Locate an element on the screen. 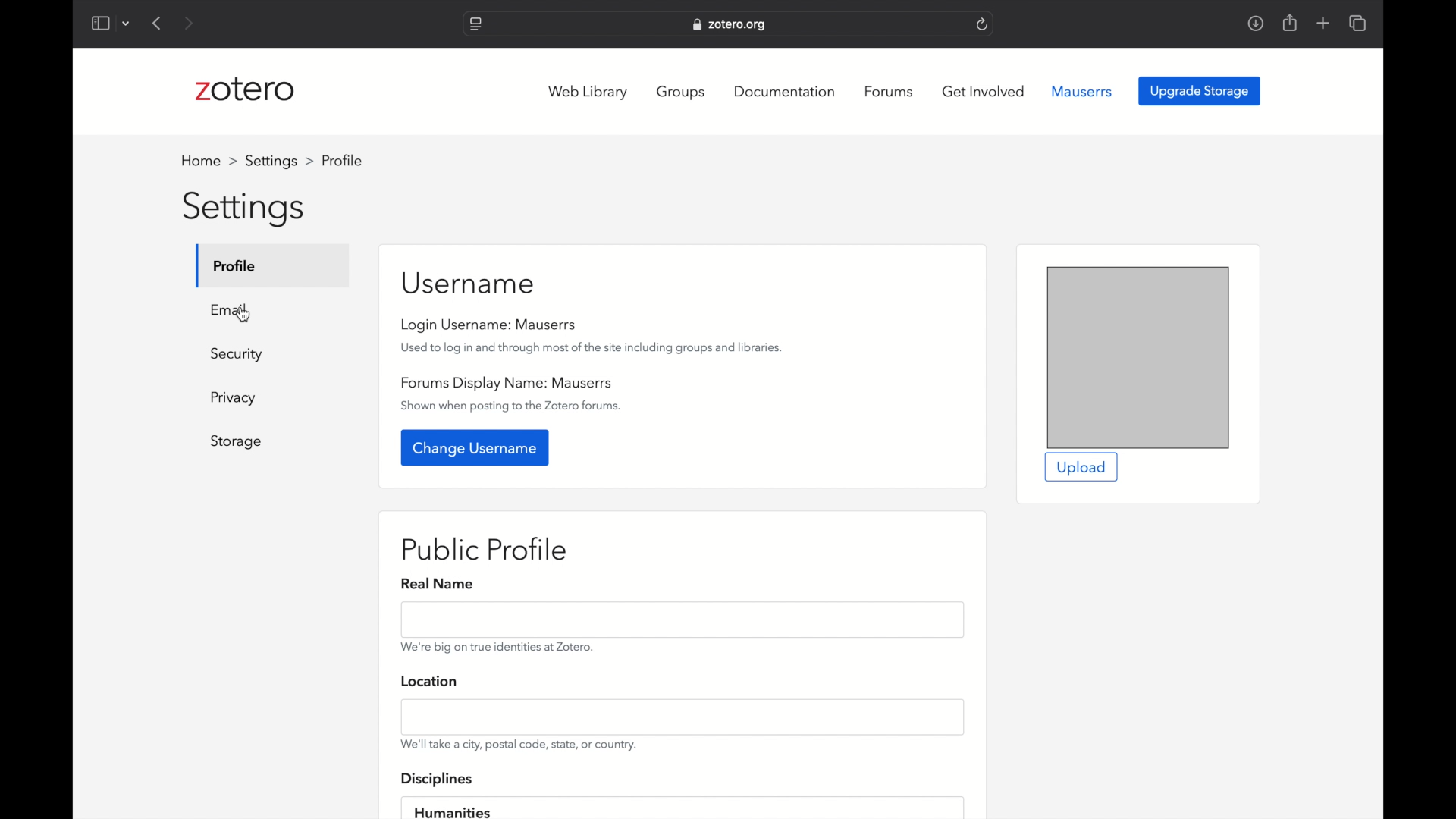 This screenshot has height=819, width=1456. settings is located at coordinates (246, 210).